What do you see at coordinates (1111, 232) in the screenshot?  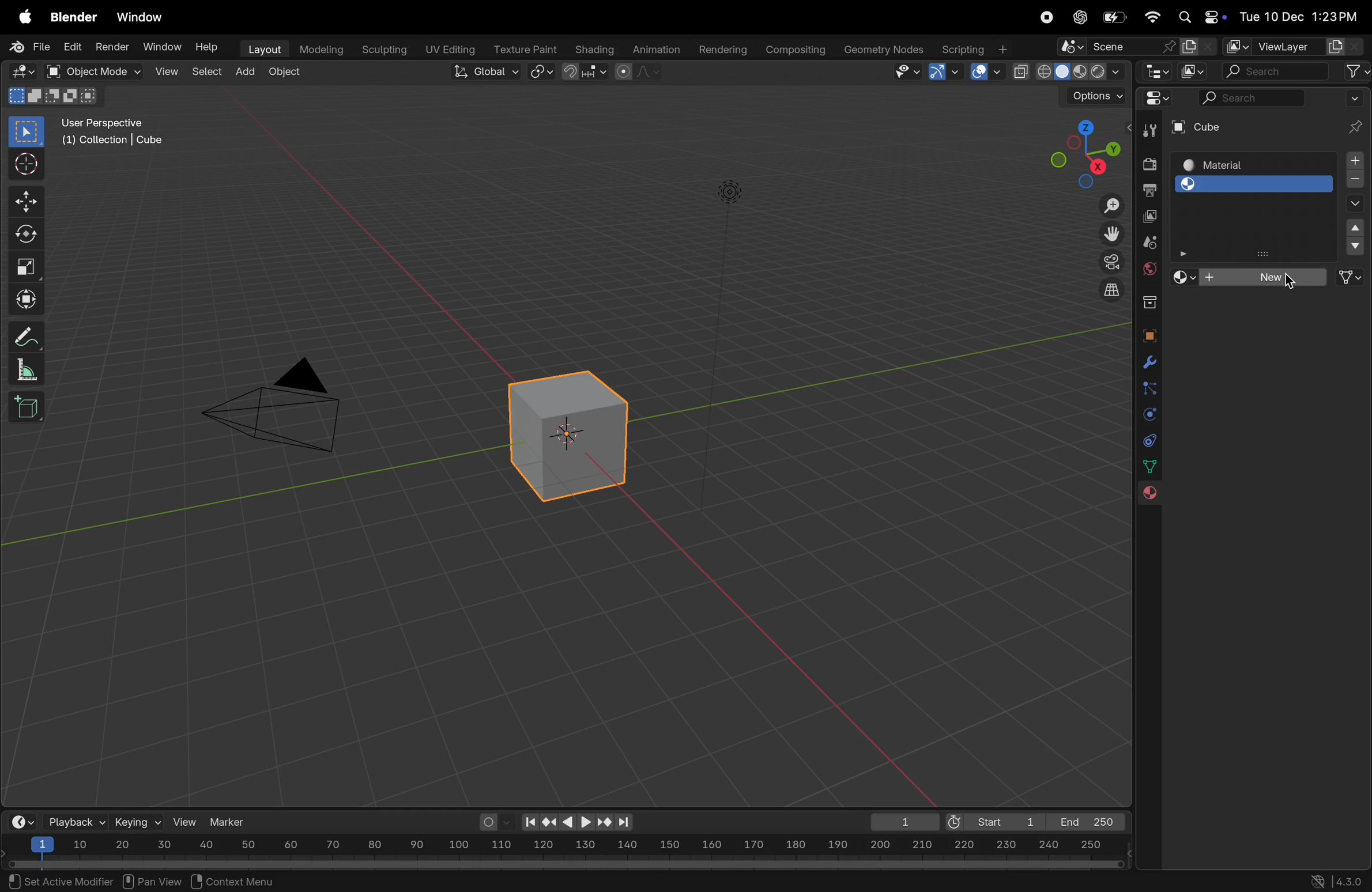 I see `move the view` at bounding box center [1111, 232].